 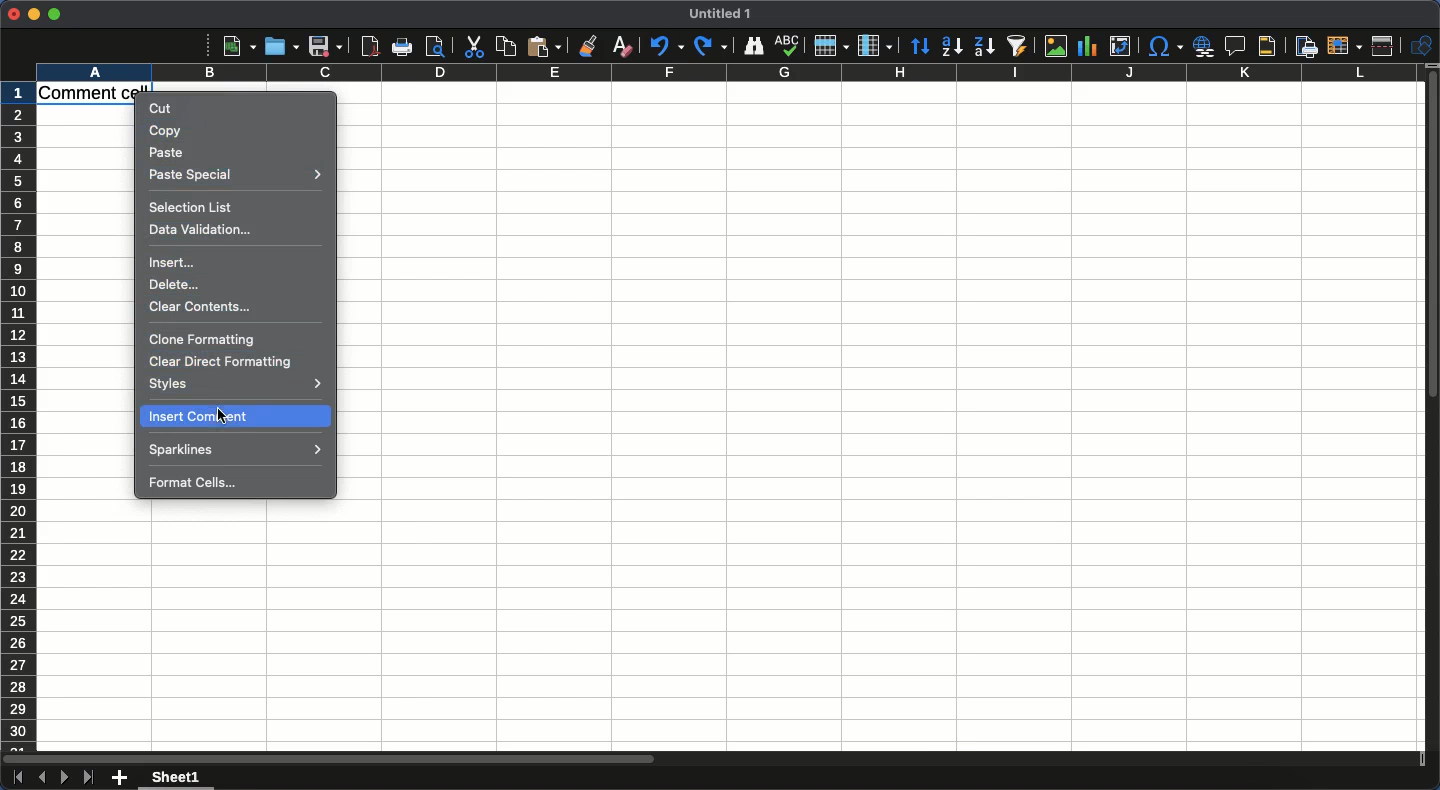 I want to click on Format cells, so click(x=204, y=484).